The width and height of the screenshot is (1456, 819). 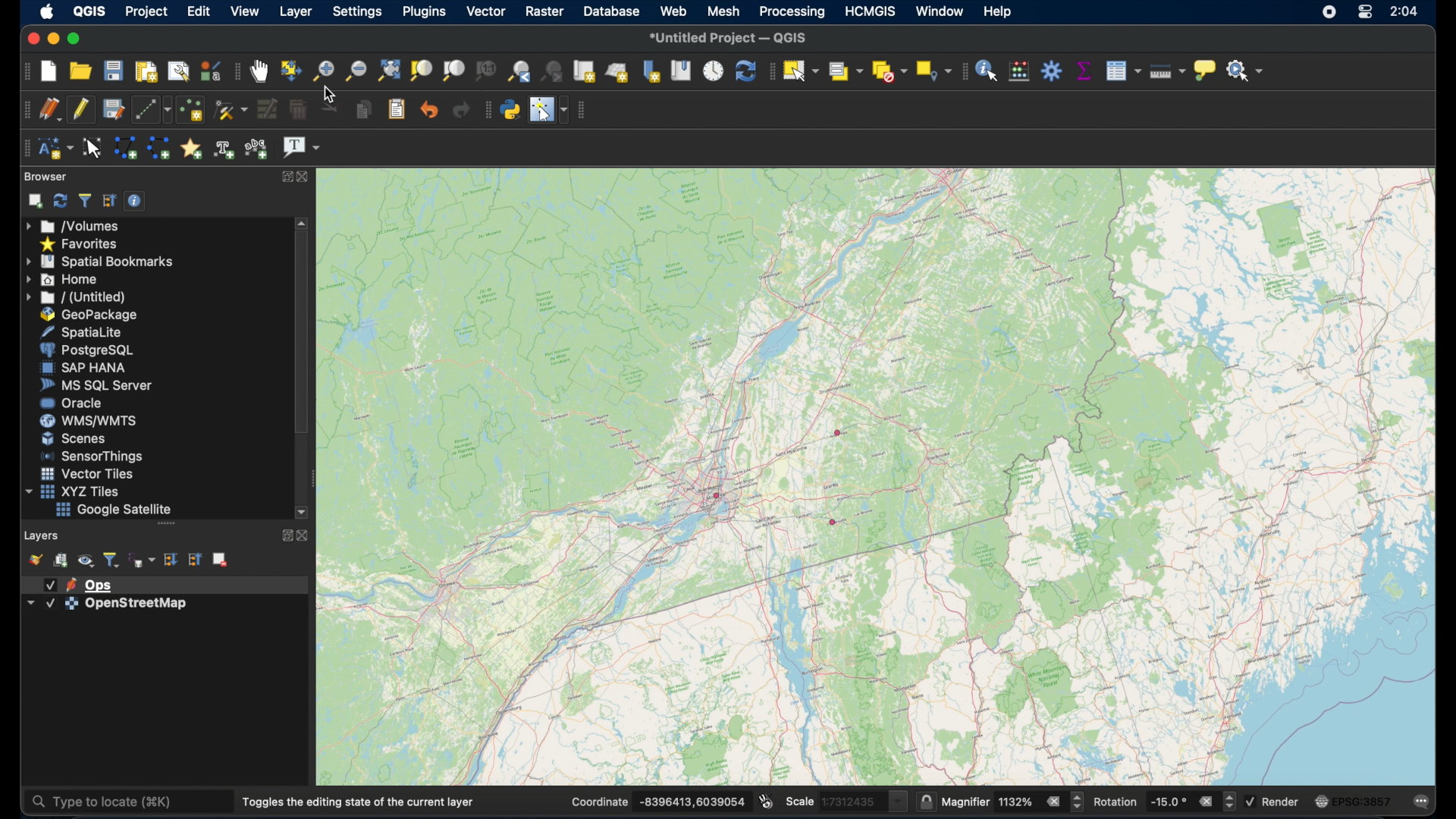 I want to click on refresh, so click(x=743, y=70).